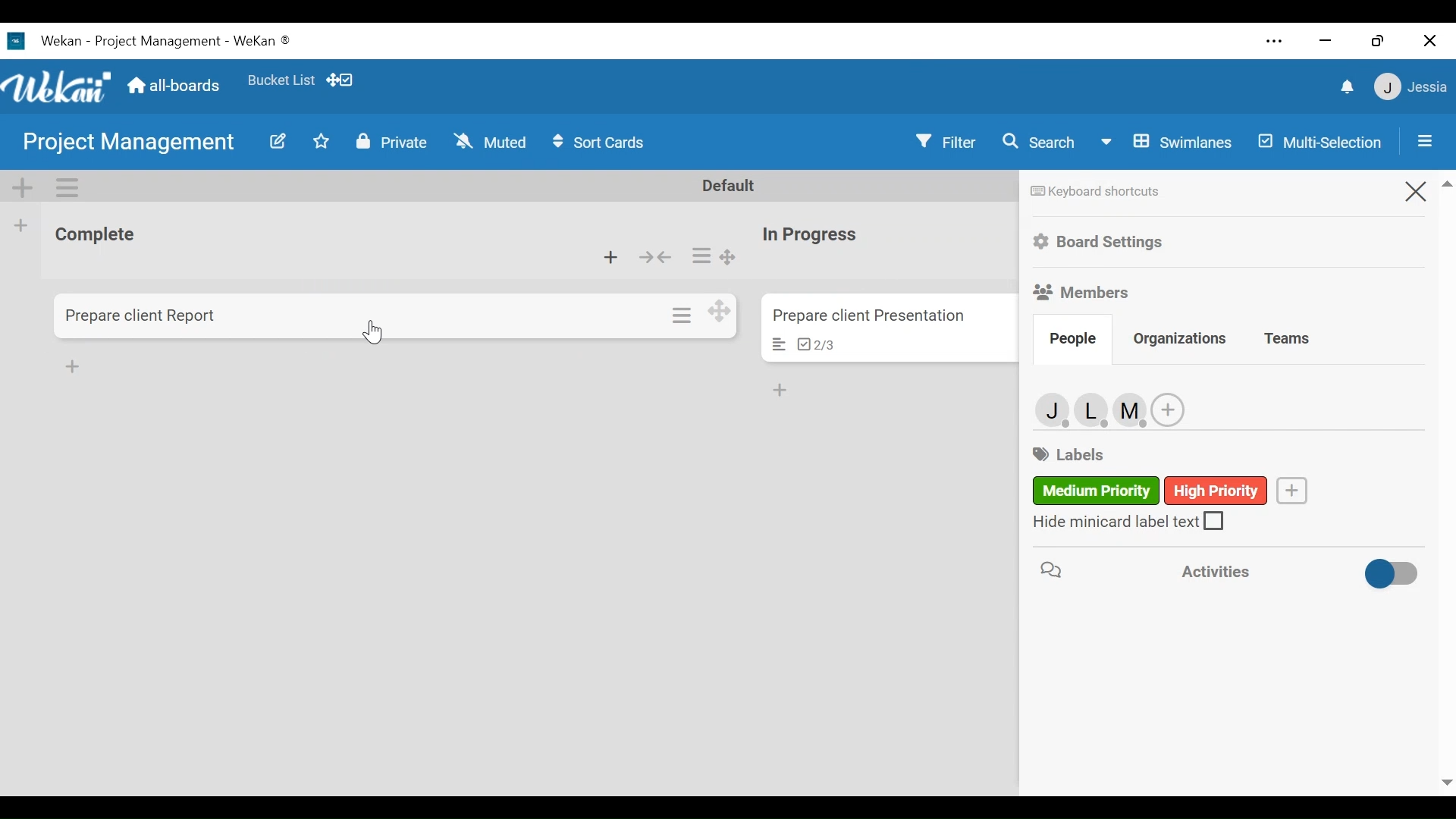 Image resolution: width=1456 pixels, height=819 pixels. I want to click on Labels, so click(1067, 453).